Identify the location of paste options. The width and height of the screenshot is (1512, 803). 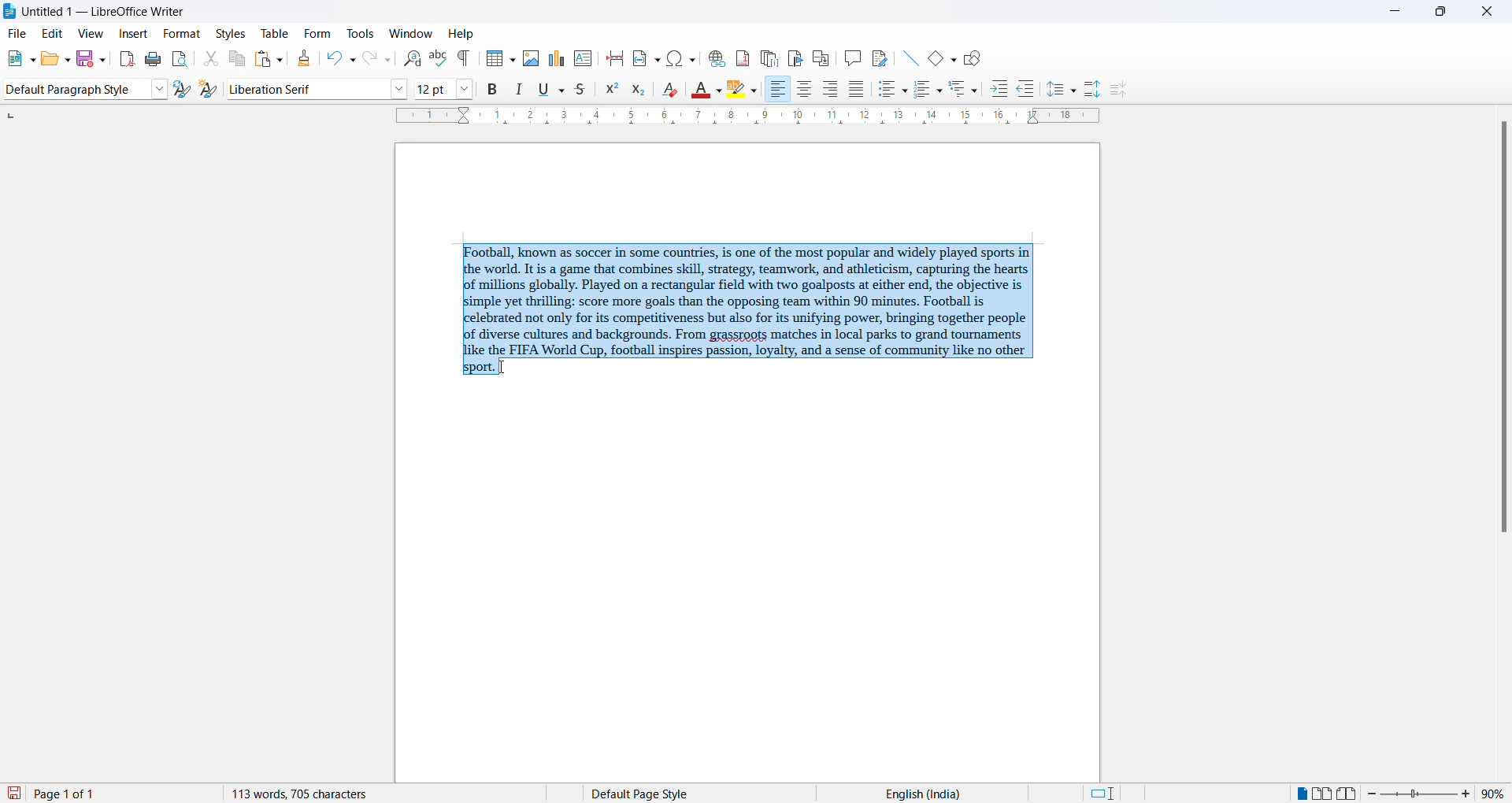
(282, 58).